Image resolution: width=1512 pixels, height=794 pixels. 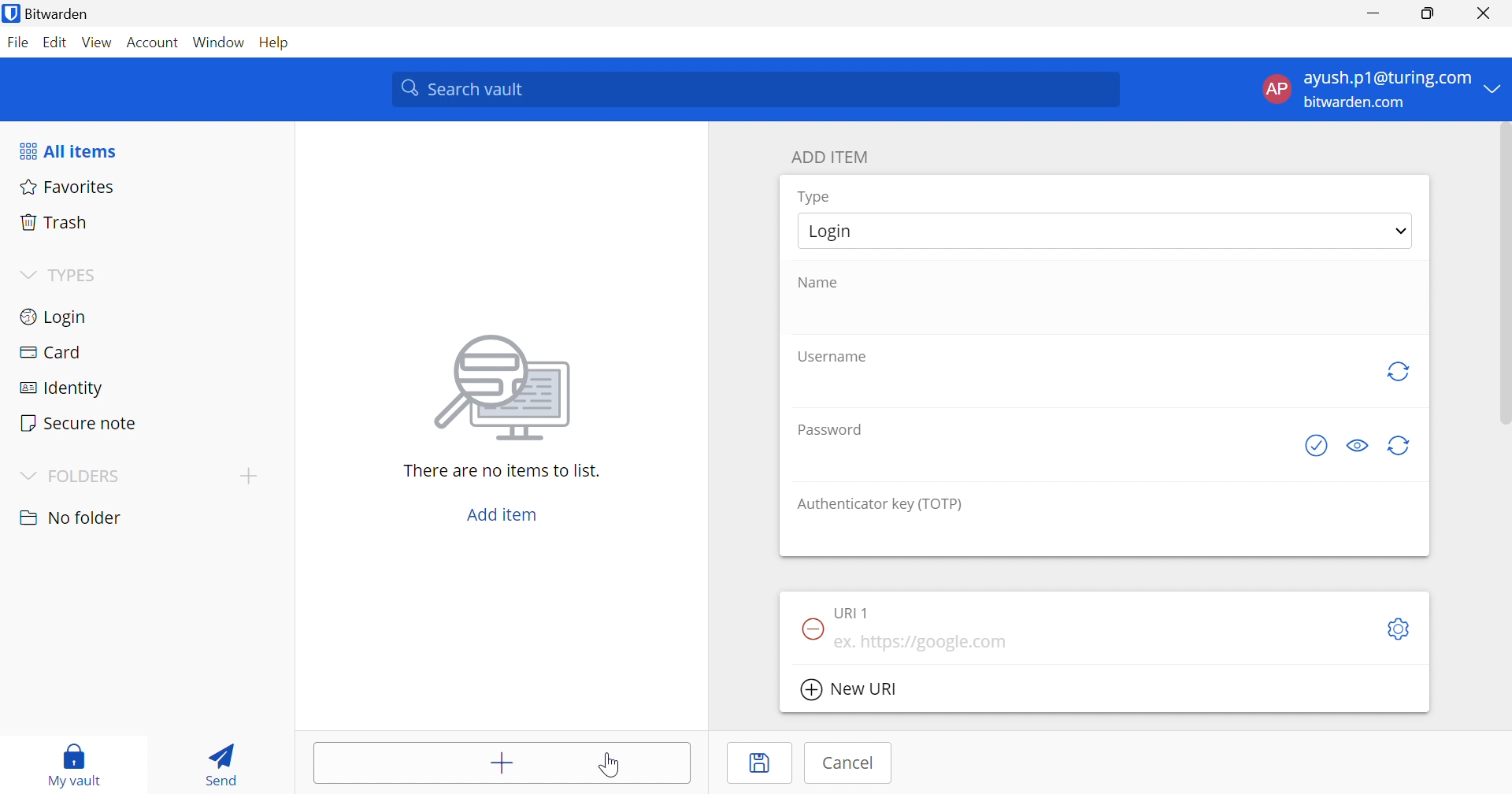 I want to click on View, so click(x=100, y=43).